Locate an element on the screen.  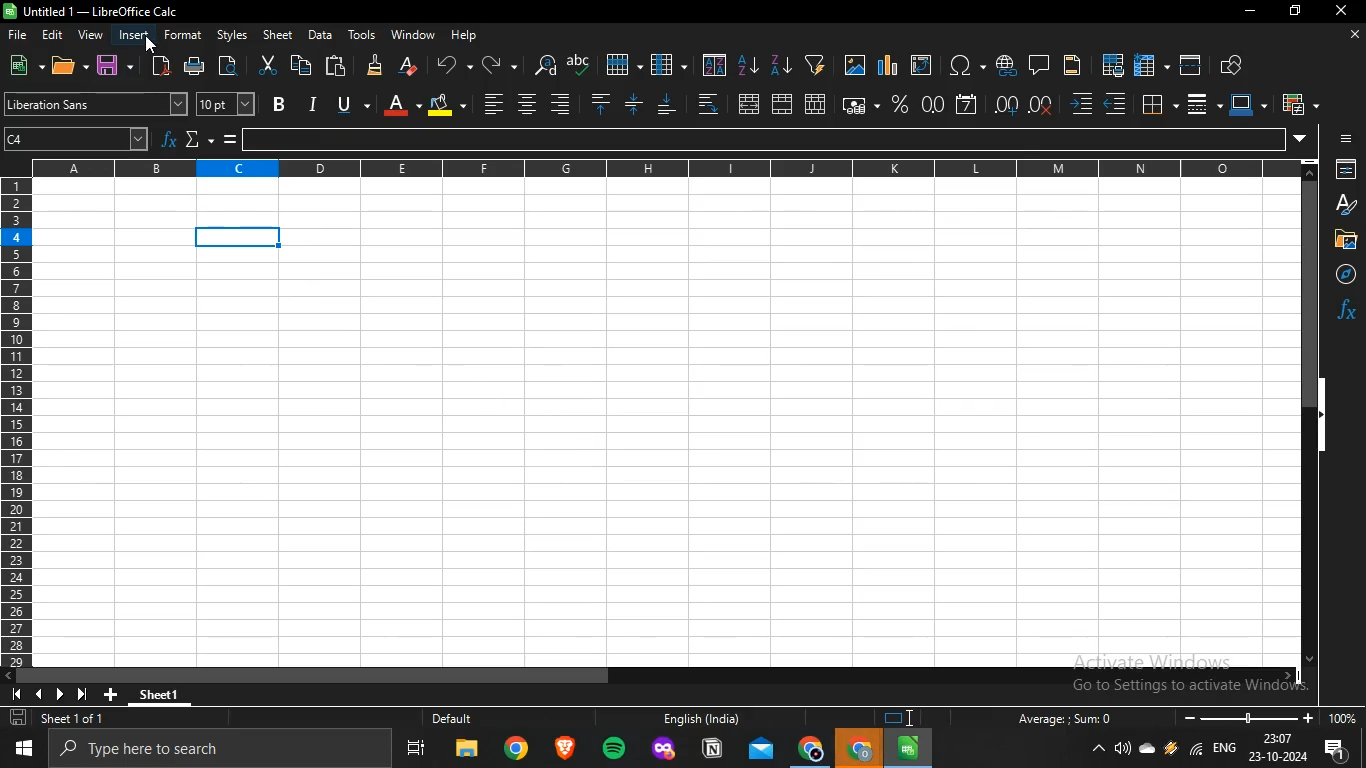
Default is located at coordinates (473, 719).